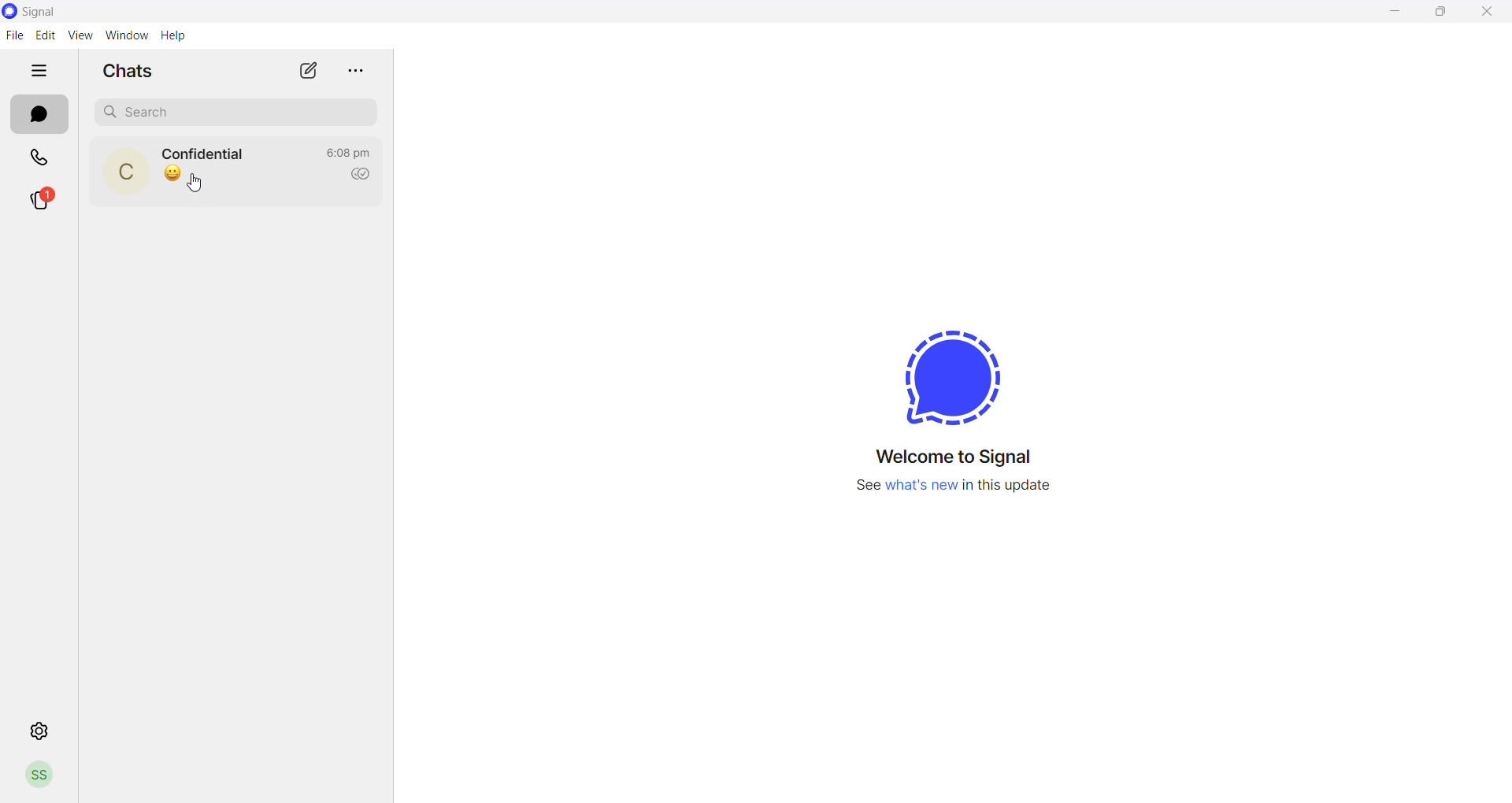 Image resolution: width=1512 pixels, height=803 pixels. Describe the element at coordinates (954, 497) in the screenshot. I see `information regarding new update` at that location.